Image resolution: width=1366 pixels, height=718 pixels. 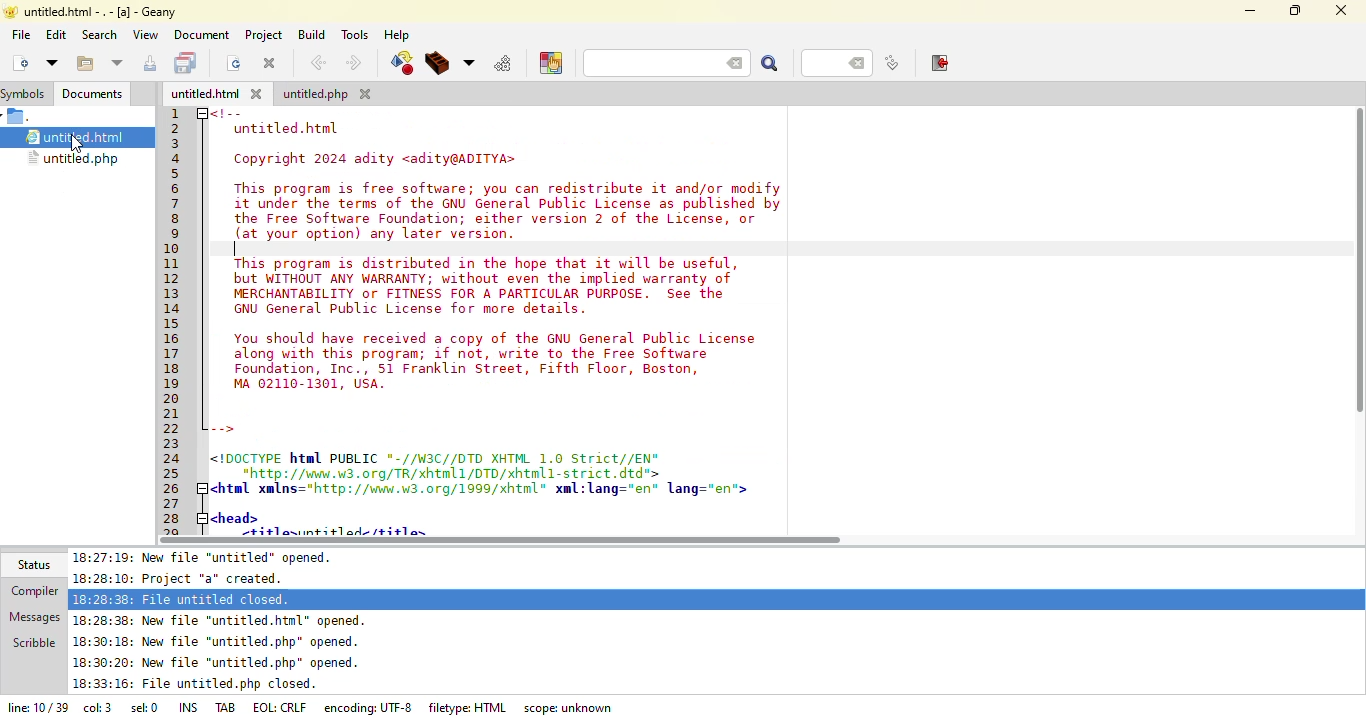 I want to click on document, so click(x=201, y=36).